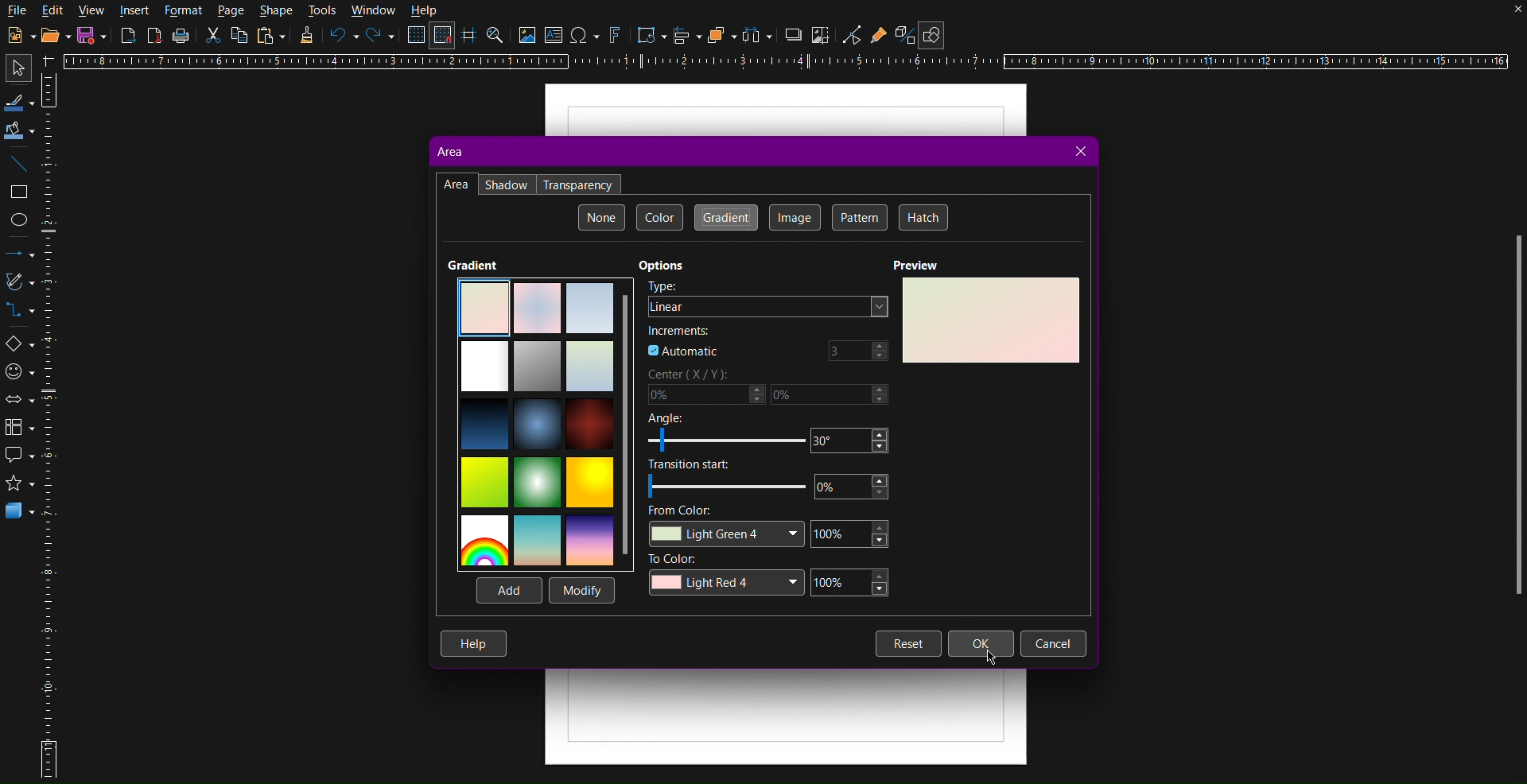 The image size is (1527, 784). Describe the element at coordinates (765, 433) in the screenshot. I see `Angle` at that location.